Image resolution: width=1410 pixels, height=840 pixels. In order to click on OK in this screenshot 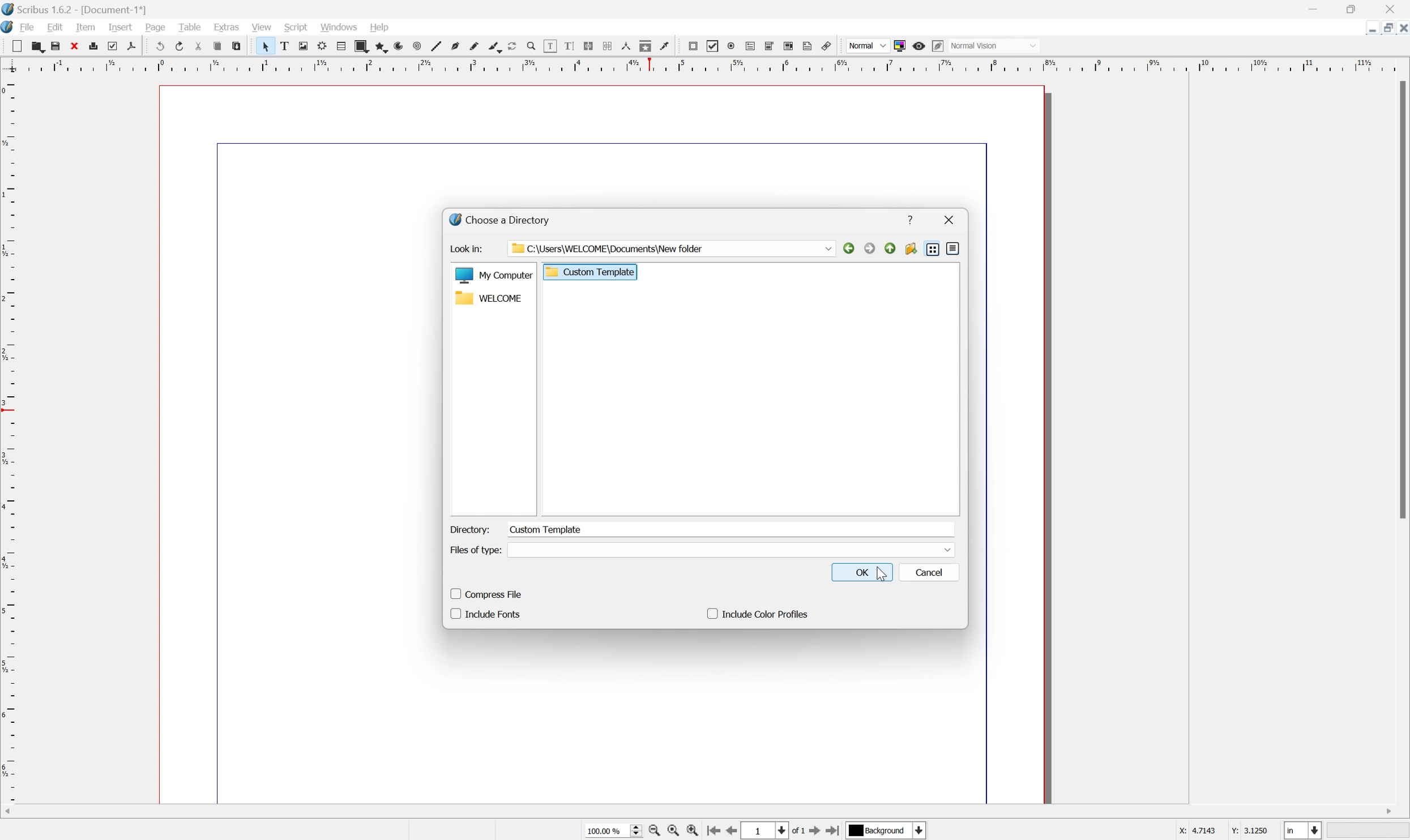, I will do `click(865, 572)`.